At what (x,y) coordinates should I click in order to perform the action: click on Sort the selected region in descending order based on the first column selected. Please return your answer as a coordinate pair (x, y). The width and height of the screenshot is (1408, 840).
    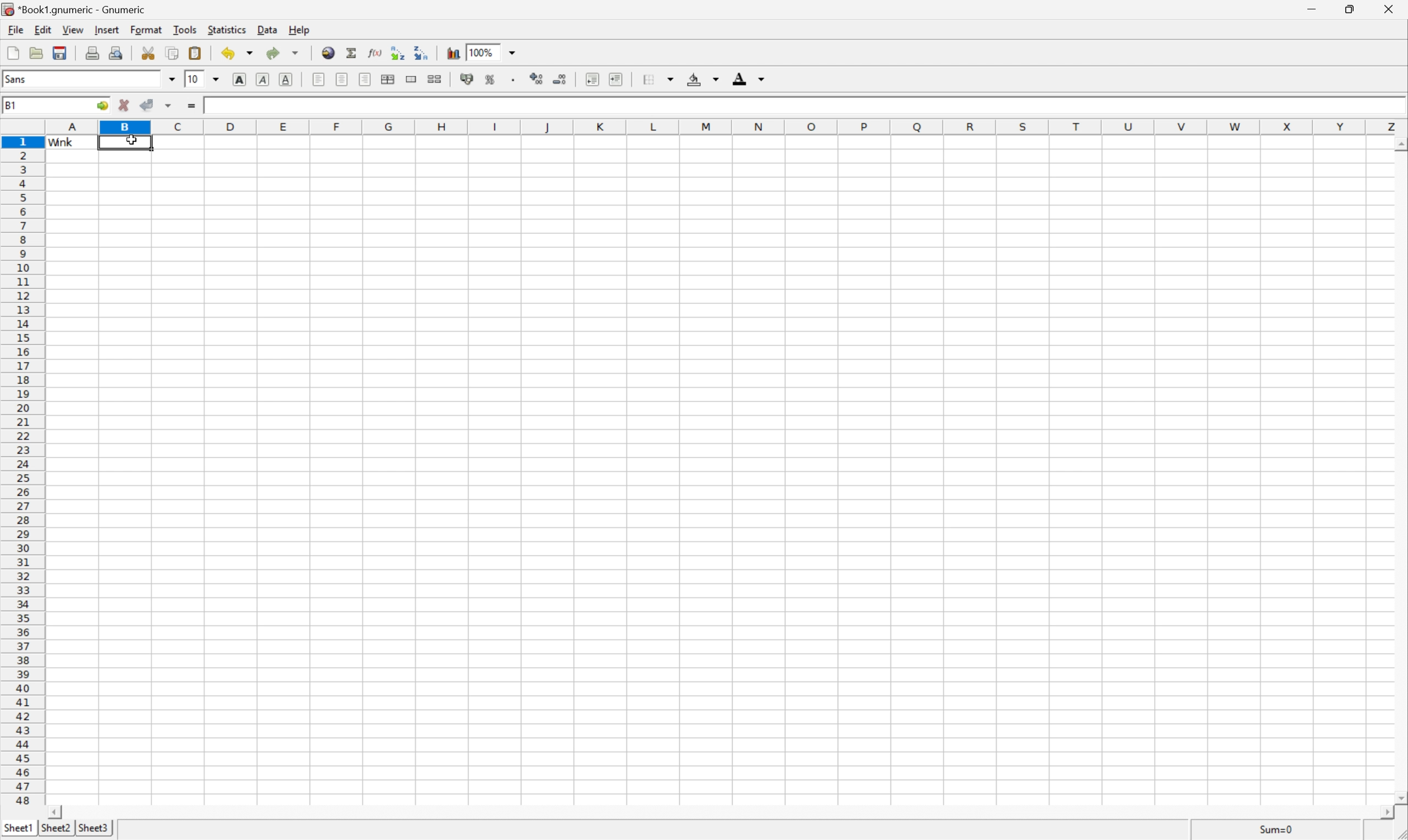
    Looking at the image, I should click on (422, 52).